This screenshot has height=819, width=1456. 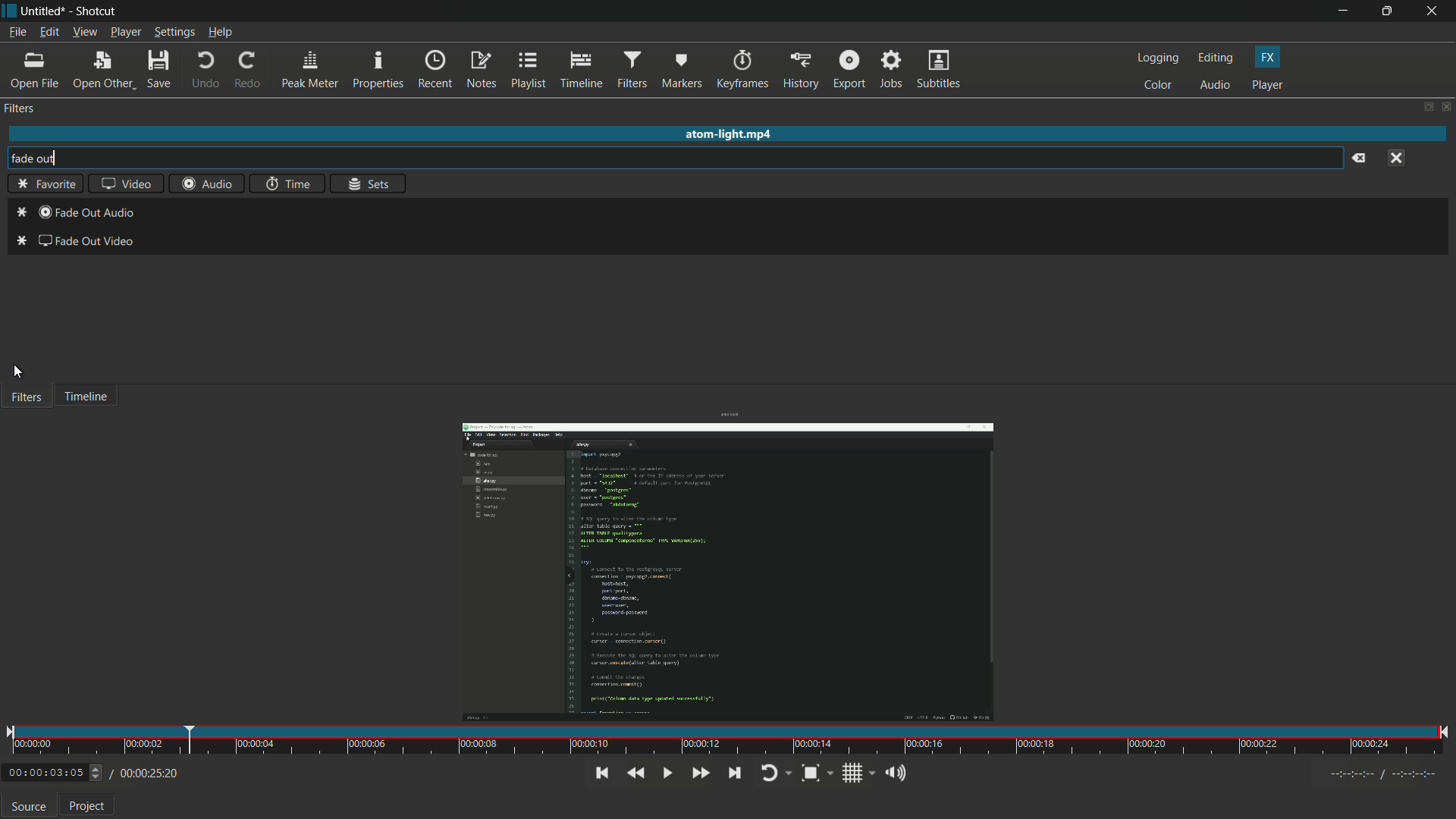 What do you see at coordinates (175, 33) in the screenshot?
I see `settings menu` at bounding box center [175, 33].